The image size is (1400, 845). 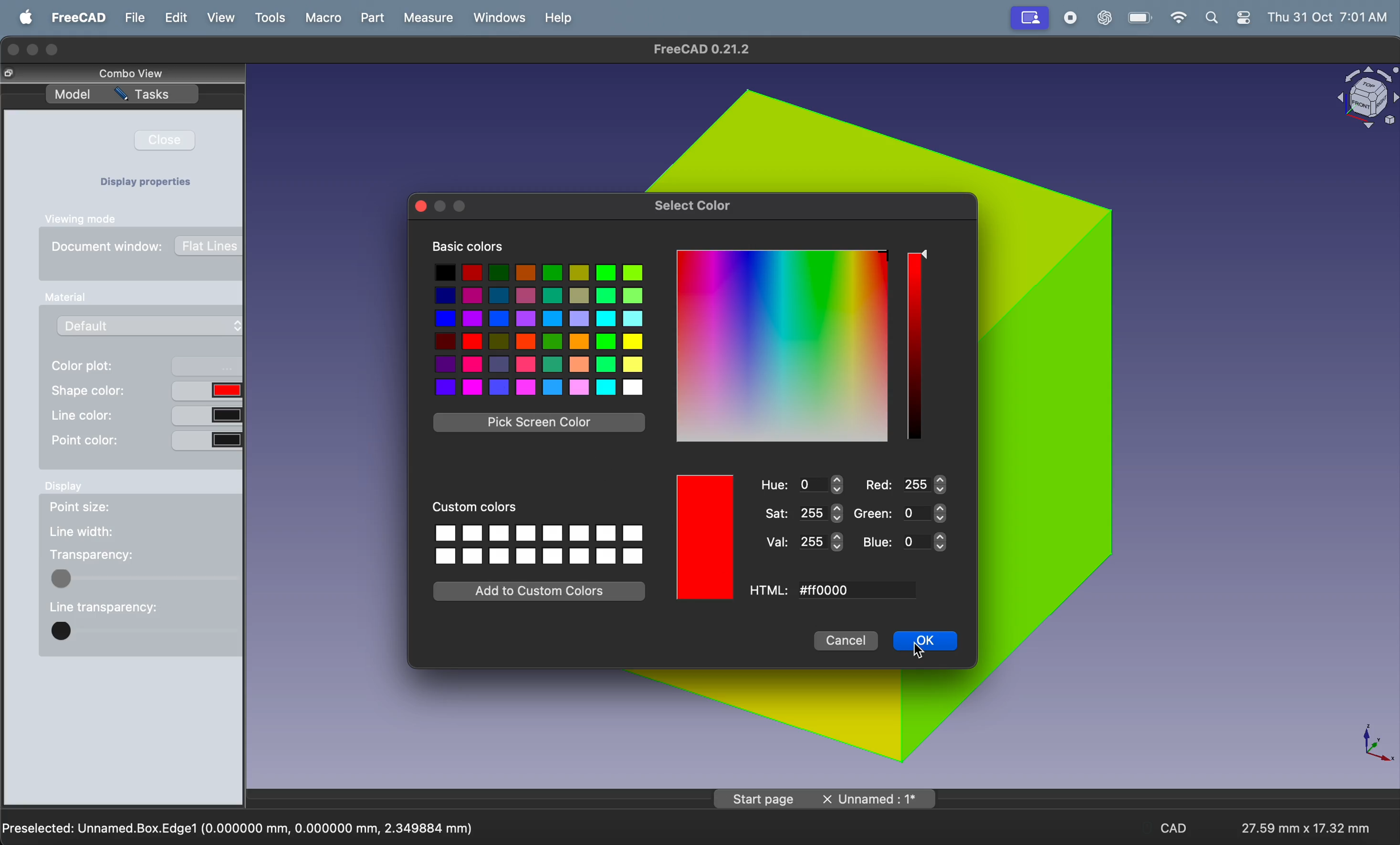 What do you see at coordinates (540, 423) in the screenshot?
I see `pick skin color` at bounding box center [540, 423].